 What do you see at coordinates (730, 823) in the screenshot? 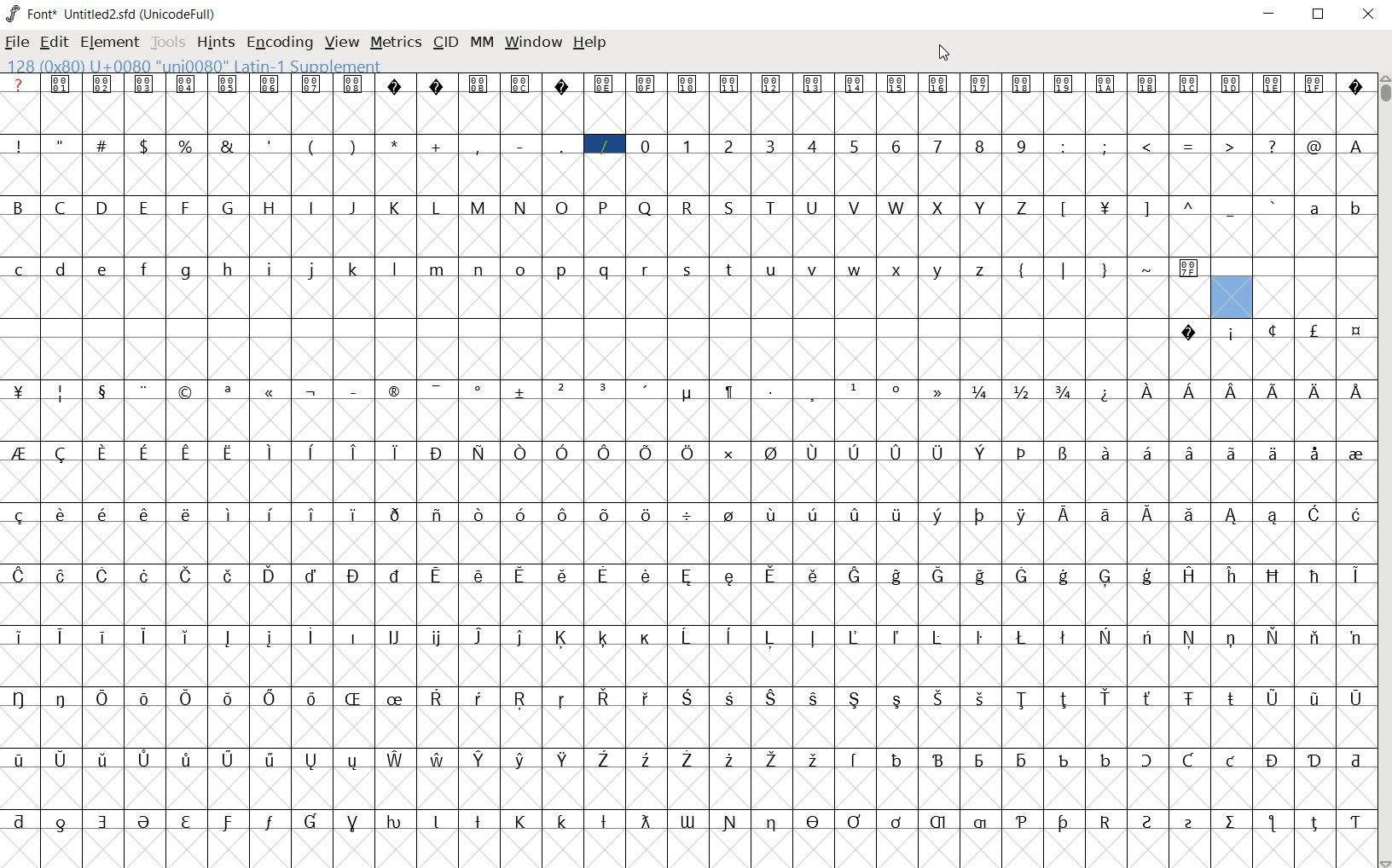
I see `glyph` at bounding box center [730, 823].